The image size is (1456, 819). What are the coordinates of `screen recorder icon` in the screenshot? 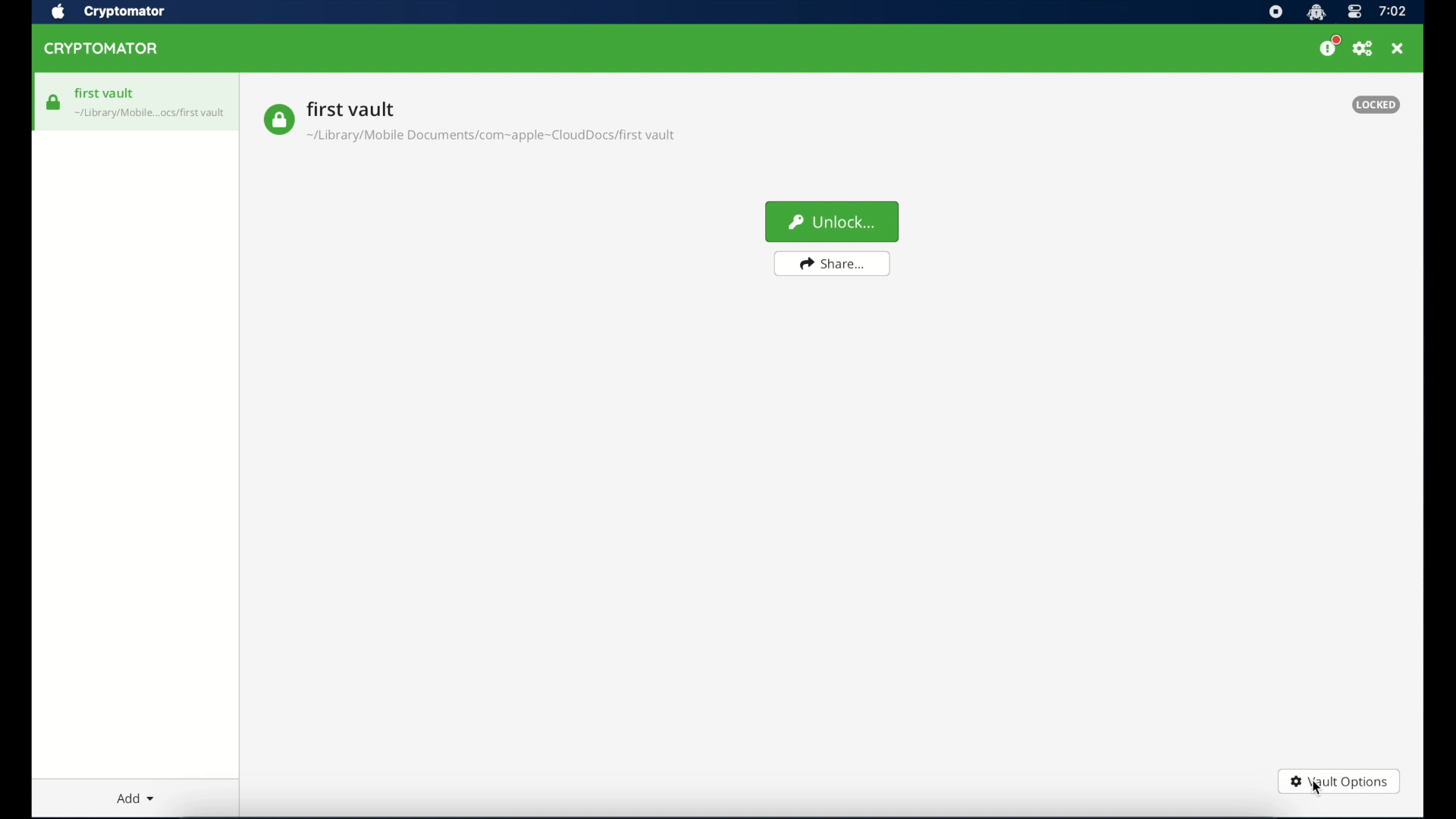 It's located at (1276, 13).